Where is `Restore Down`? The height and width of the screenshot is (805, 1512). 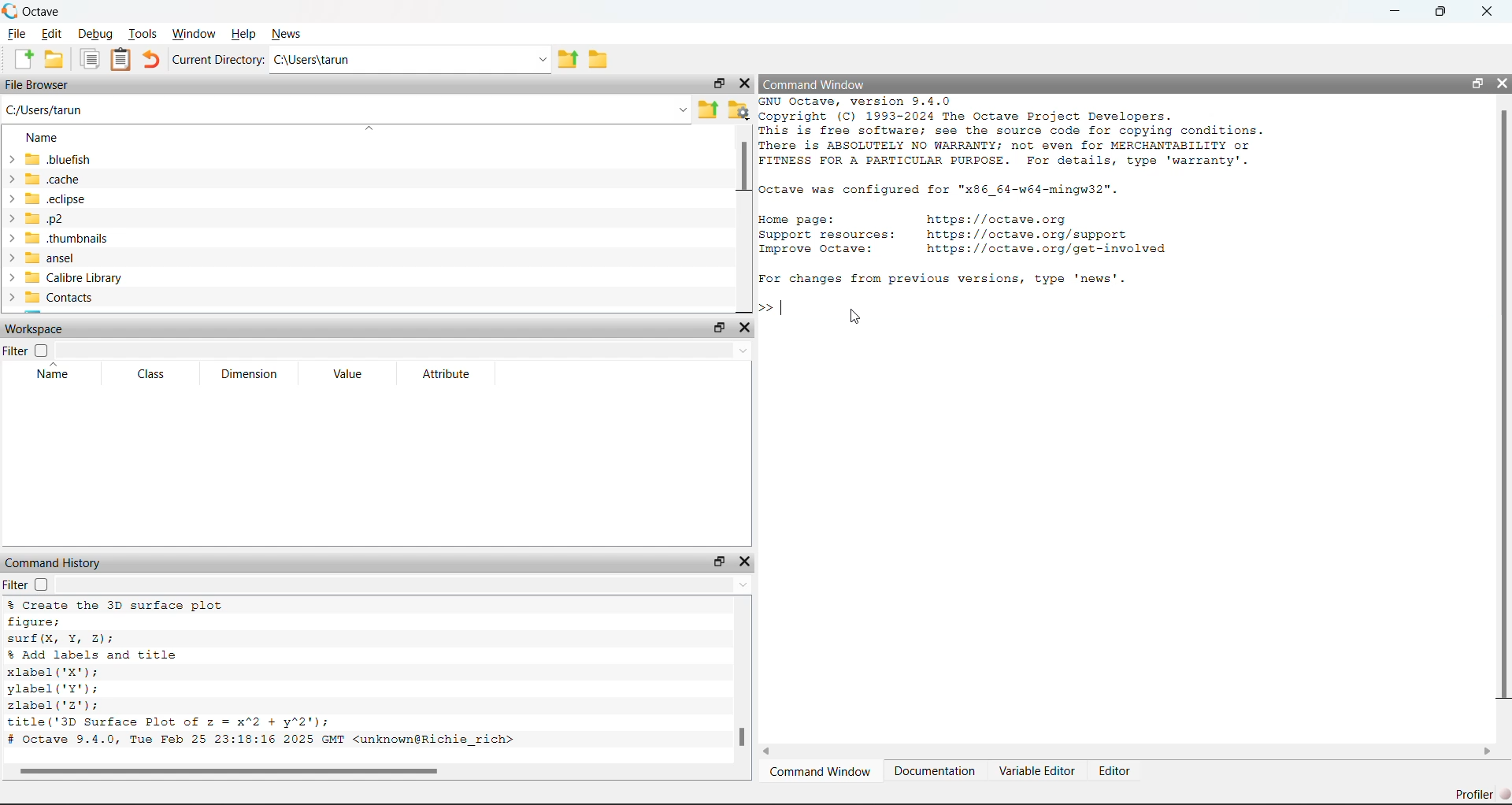 Restore Down is located at coordinates (1477, 83).